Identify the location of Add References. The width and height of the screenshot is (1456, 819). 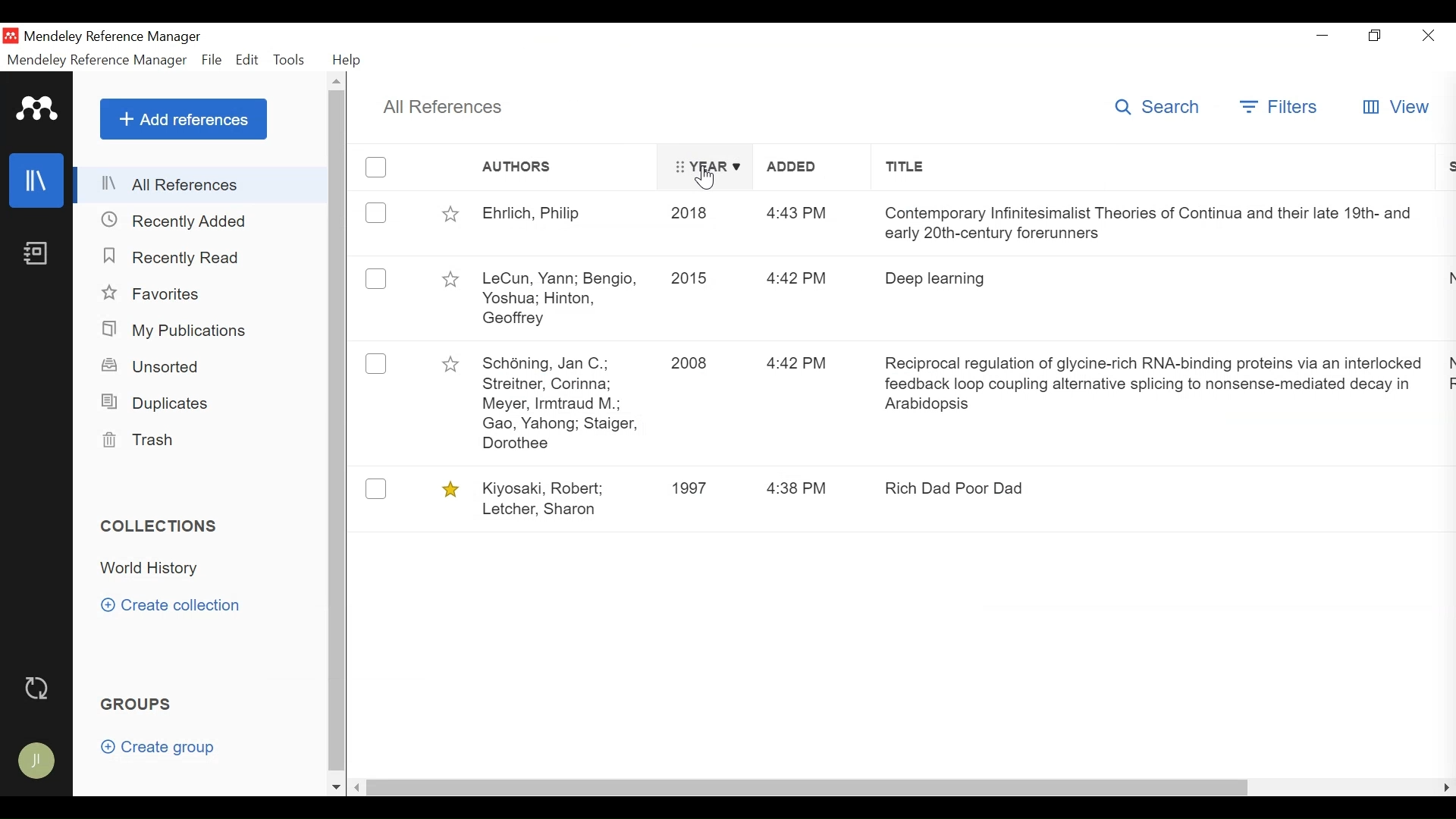
(184, 119).